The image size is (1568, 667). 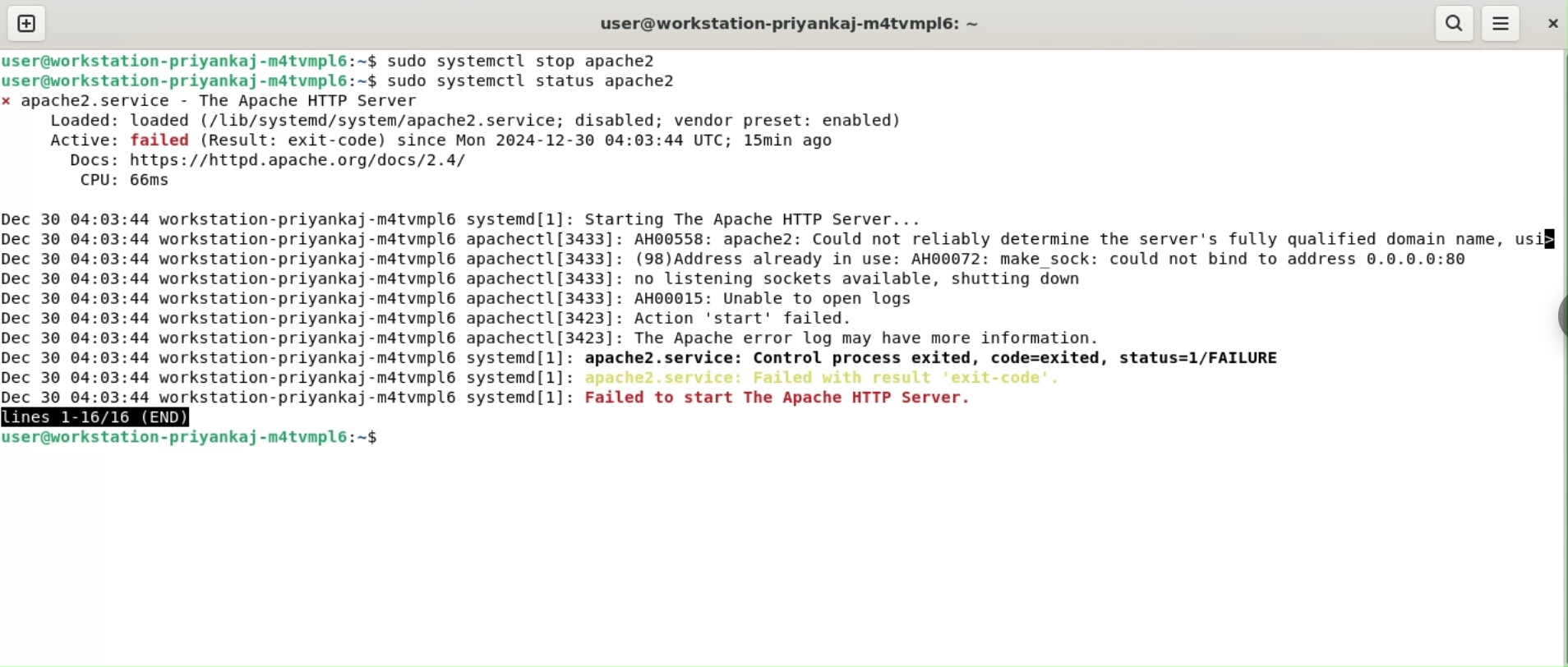 What do you see at coordinates (1551, 24) in the screenshot?
I see `close` at bounding box center [1551, 24].